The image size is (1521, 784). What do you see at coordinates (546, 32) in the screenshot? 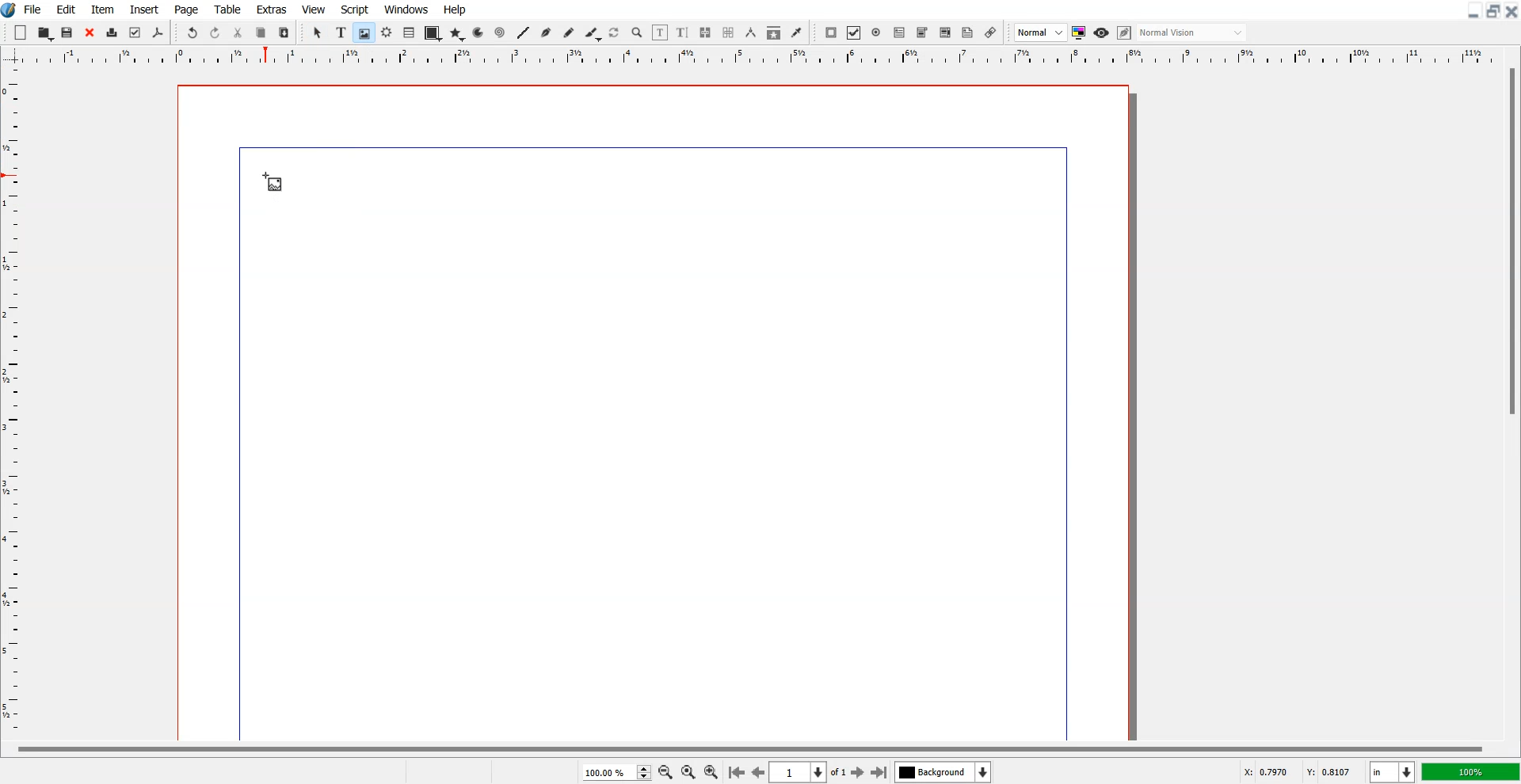
I see `Bezier Curve` at bounding box center [546, 32].